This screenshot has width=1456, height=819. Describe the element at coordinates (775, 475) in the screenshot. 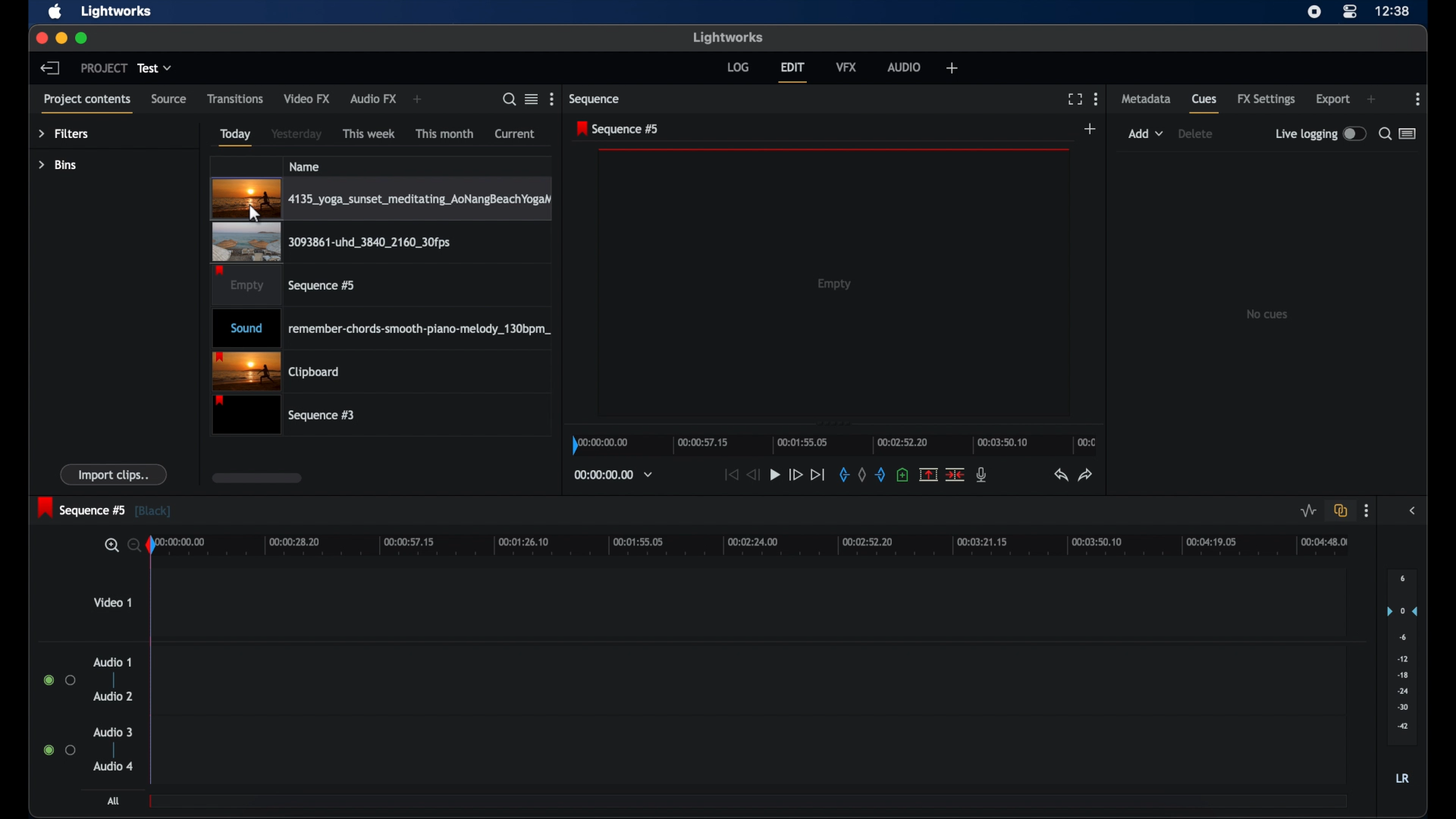

I see `play button` at that location.